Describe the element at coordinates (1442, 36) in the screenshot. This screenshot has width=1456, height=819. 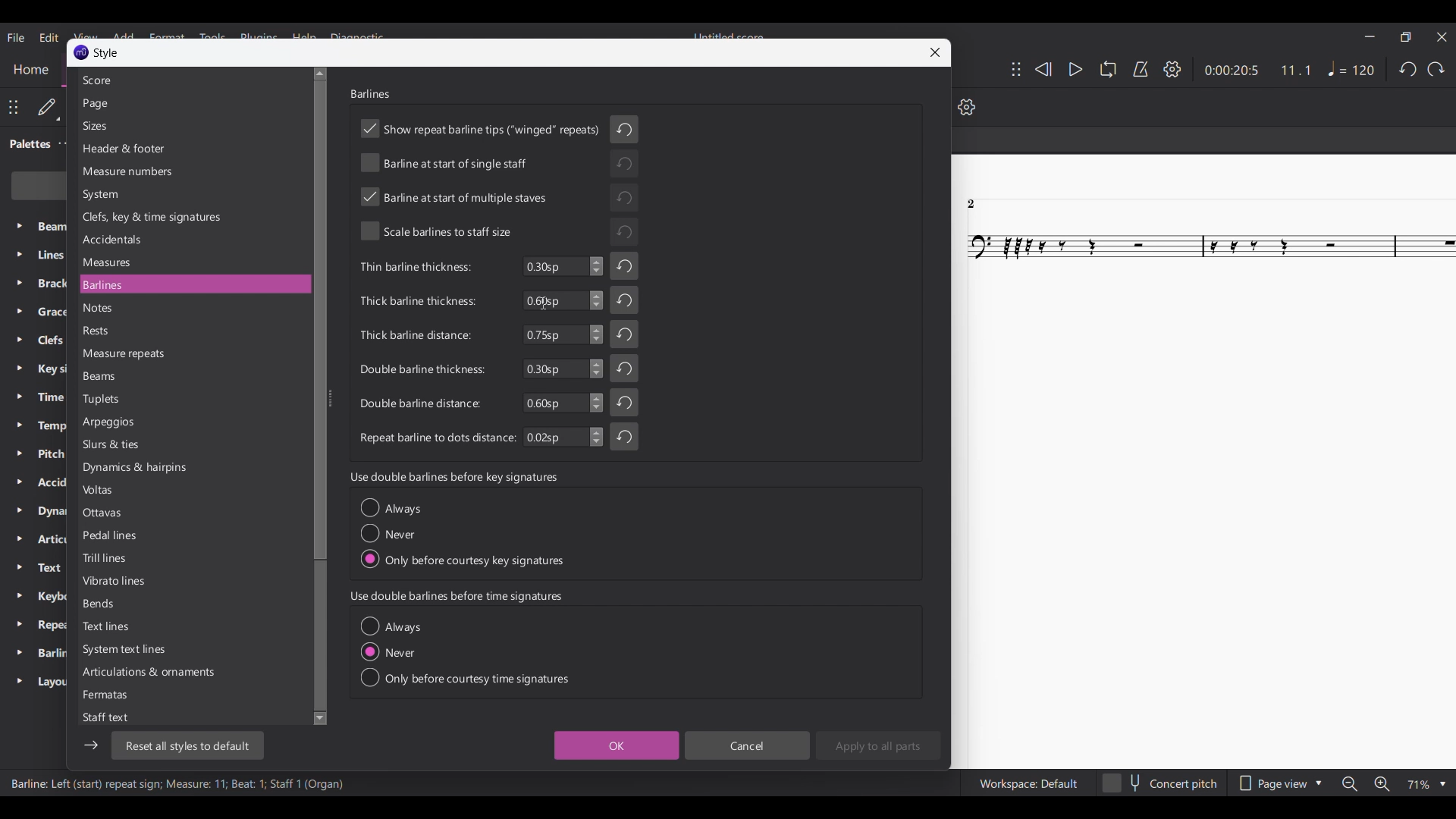
I see `Close interface` at that location.